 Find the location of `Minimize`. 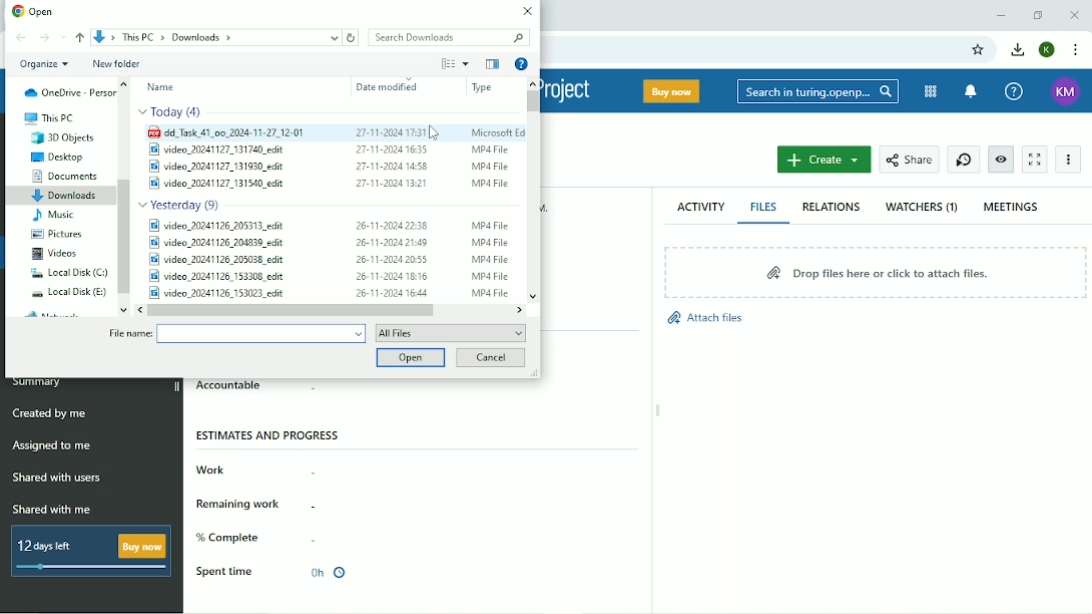

Minimize is located at coordinates (1001, 15).